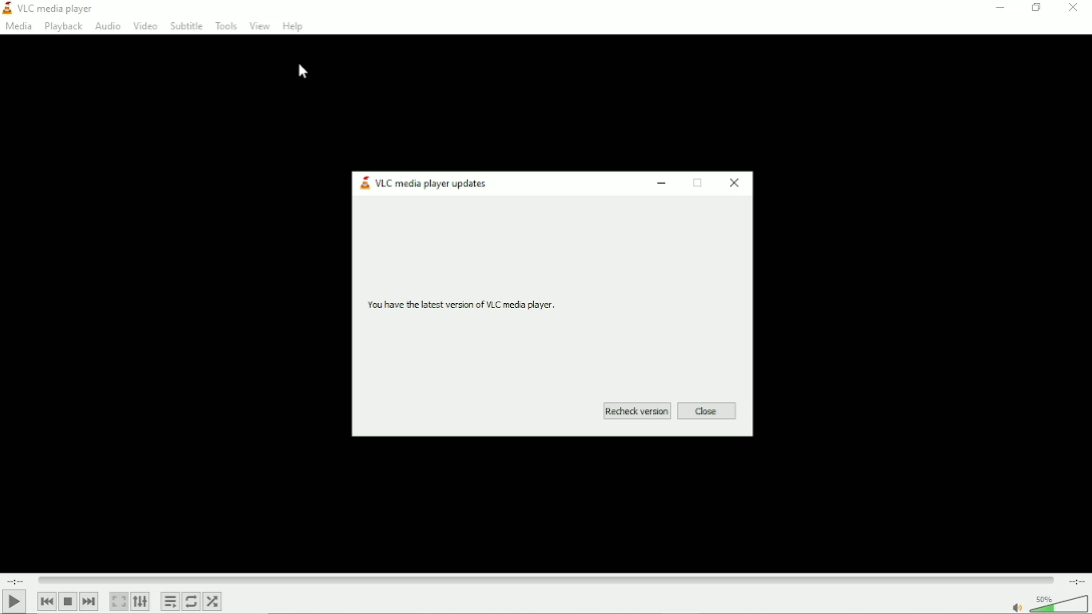 The height and width of the screenshot is (614, 1092). I want to click on Next, so click(89, 602).